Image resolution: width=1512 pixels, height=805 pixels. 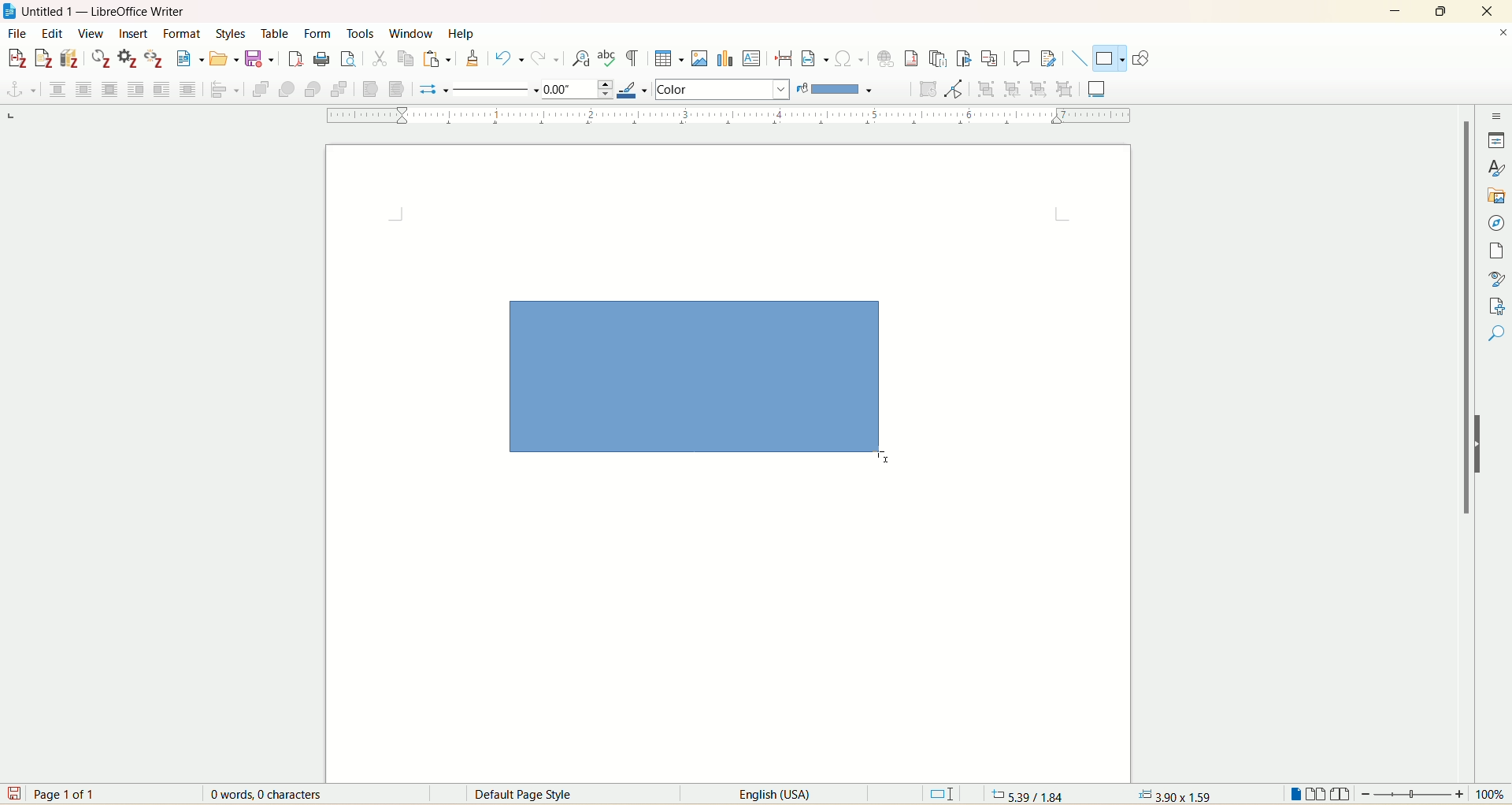 I want to click on close, so click(x=1485, y=12).